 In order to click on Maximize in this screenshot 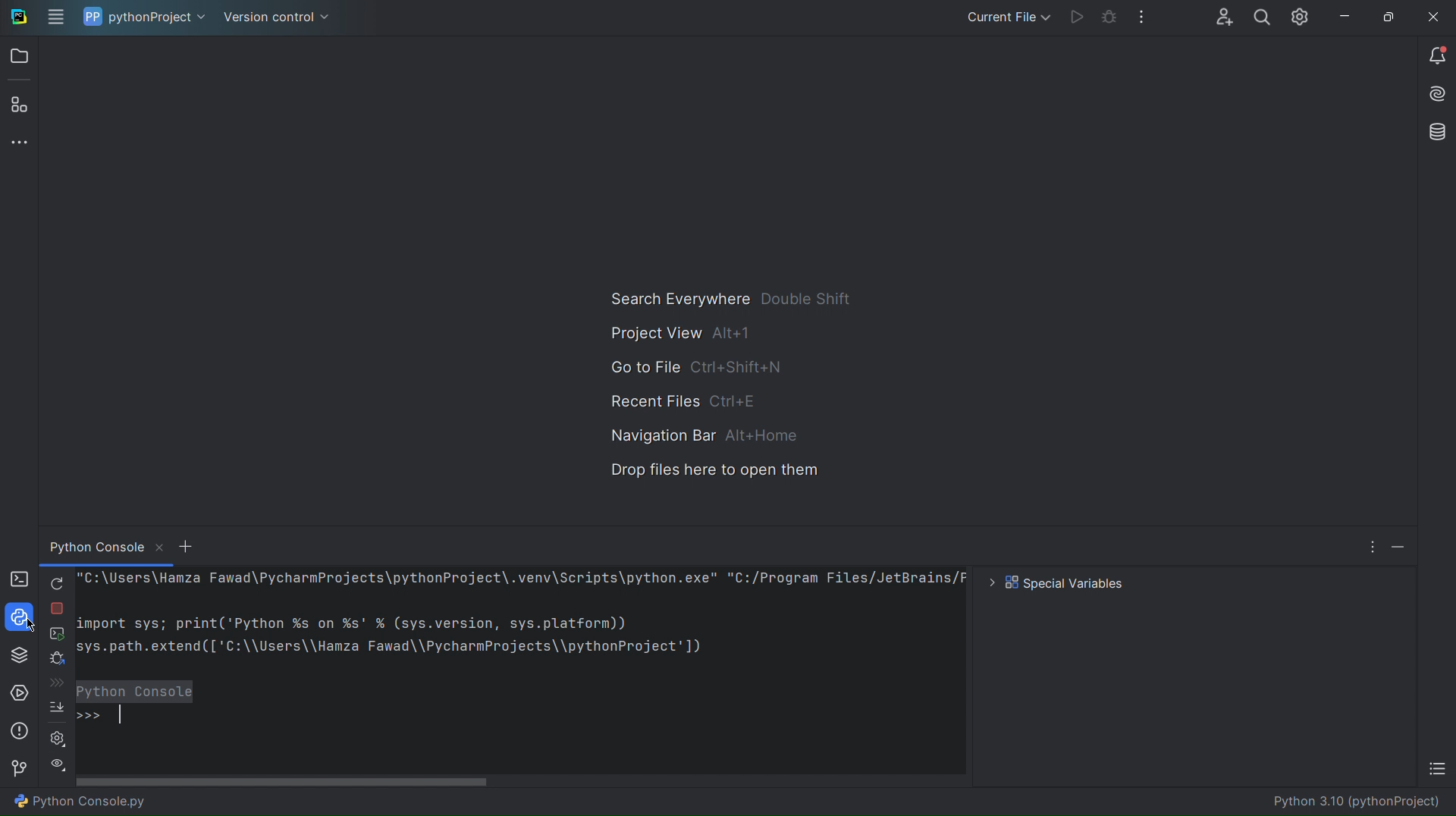, I will do `click(1388, 16)`.